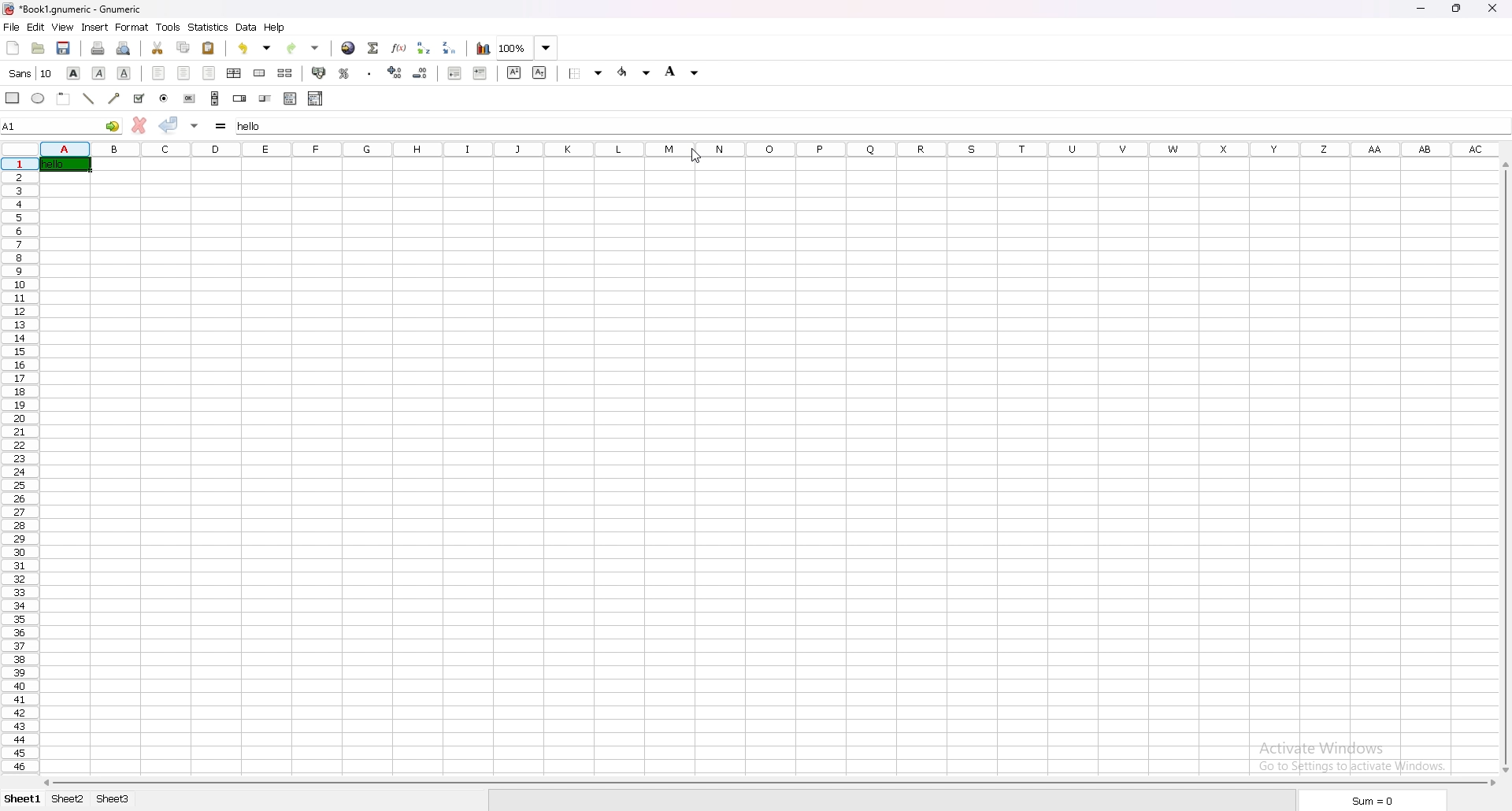  Describe the element at coordinates (369, 73) in the screenshot. I see `thousands separator` at that location.